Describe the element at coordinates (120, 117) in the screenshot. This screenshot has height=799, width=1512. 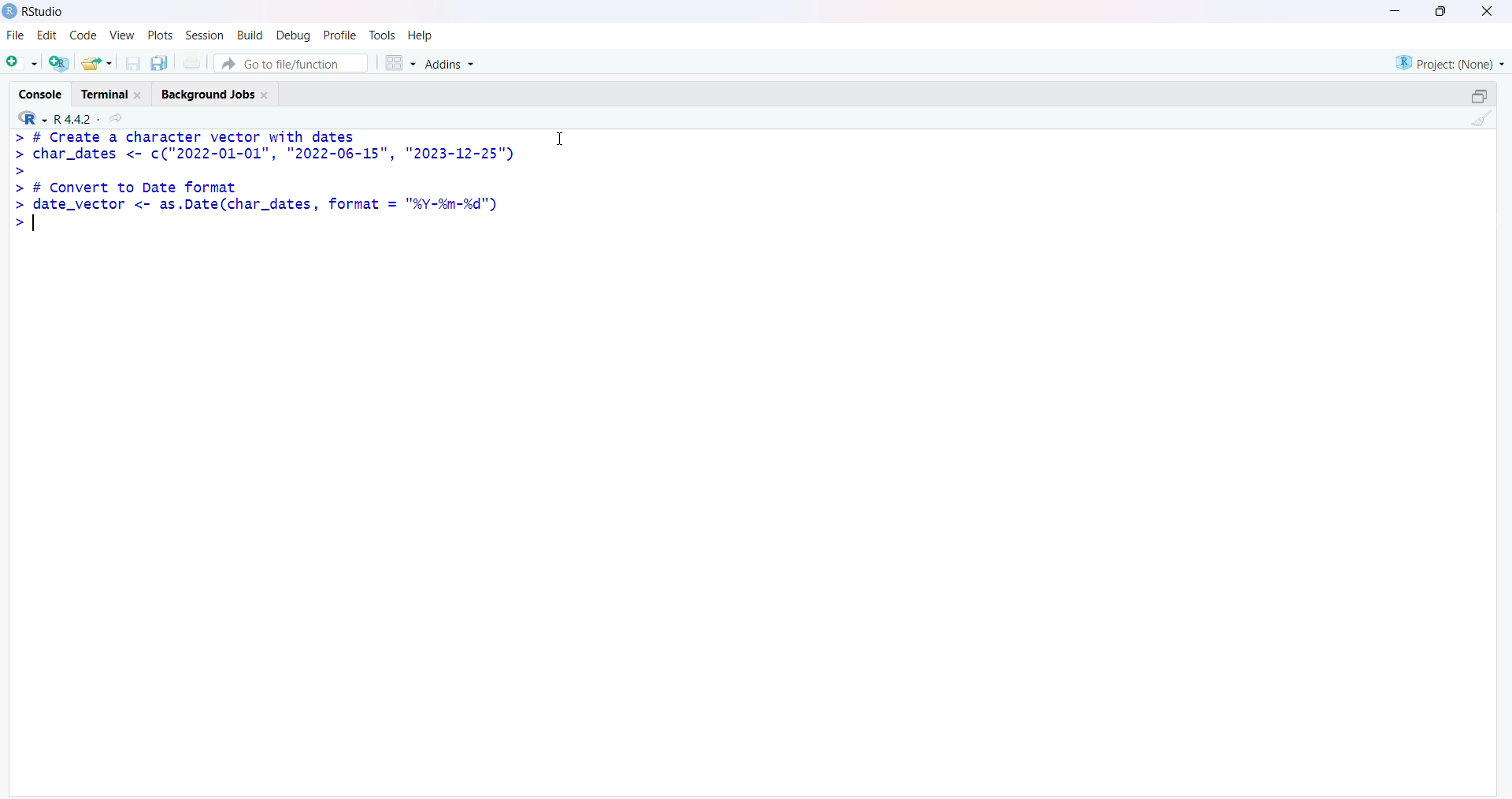
I see `View the current working directory` at that location.